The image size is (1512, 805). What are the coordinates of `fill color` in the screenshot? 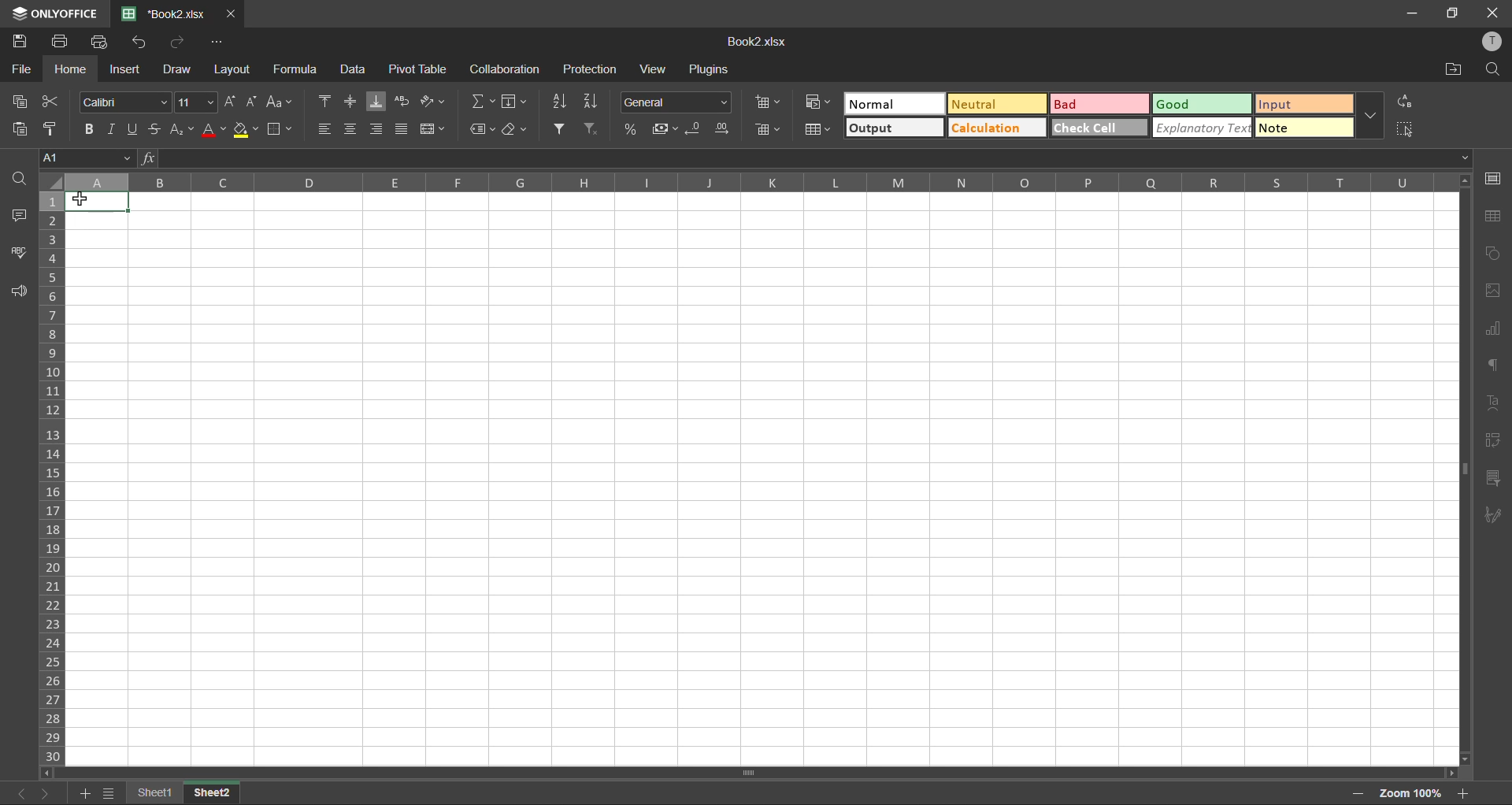 It's located at (247, 129).